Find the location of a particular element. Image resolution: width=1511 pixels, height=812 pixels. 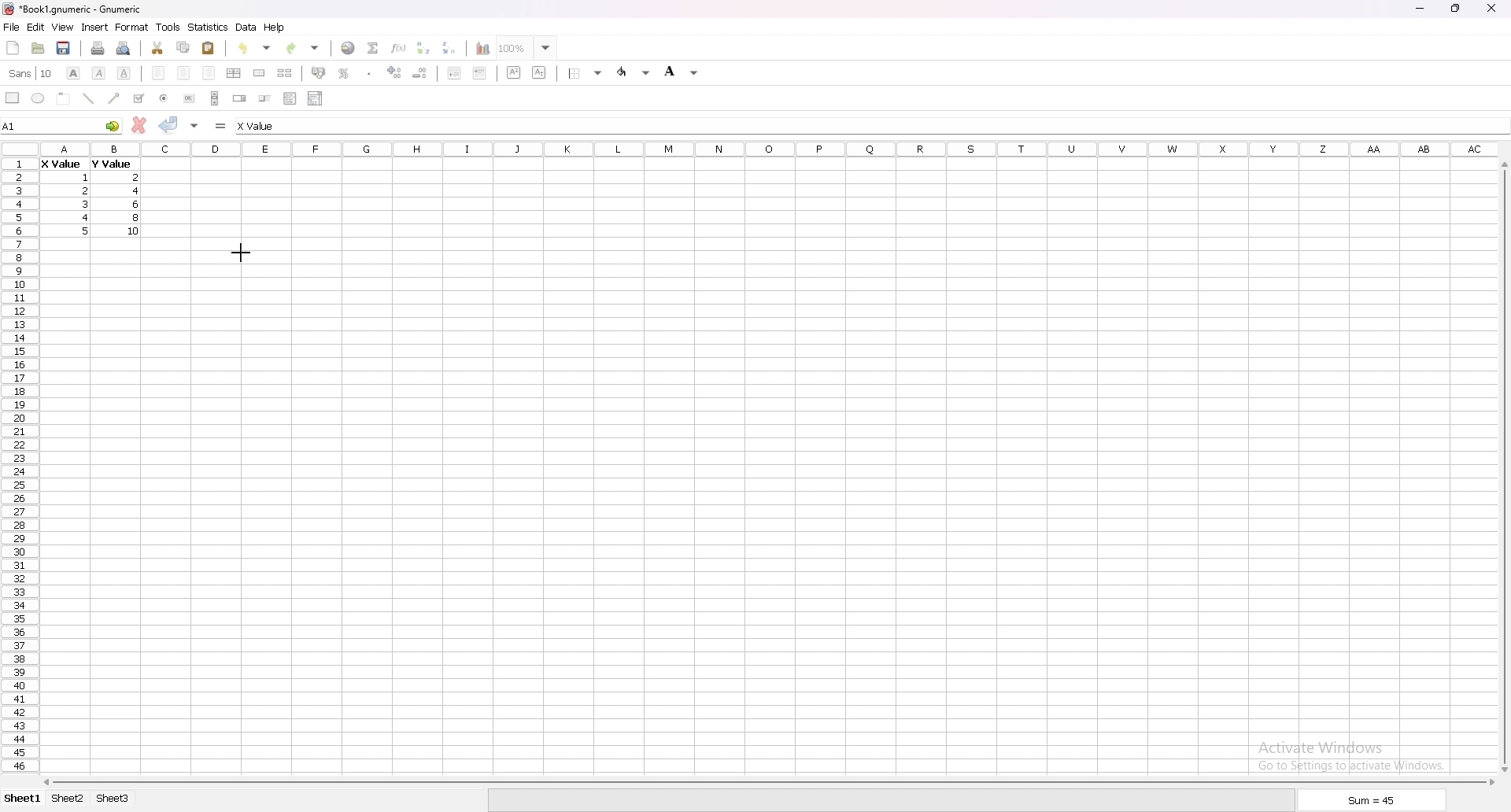

new is located at coordinates (13, 47).